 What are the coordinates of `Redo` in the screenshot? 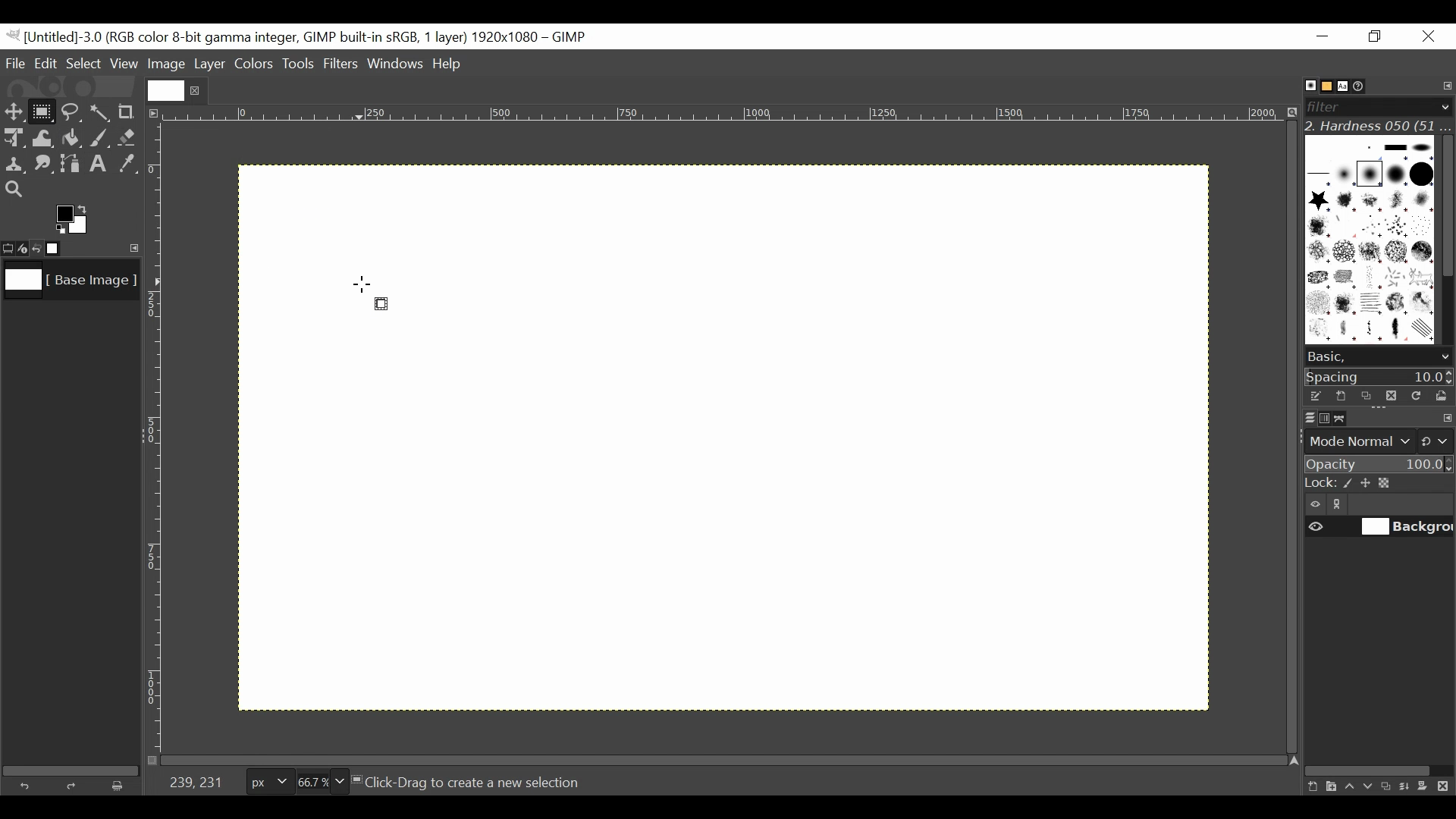 It's located at (74, 786).